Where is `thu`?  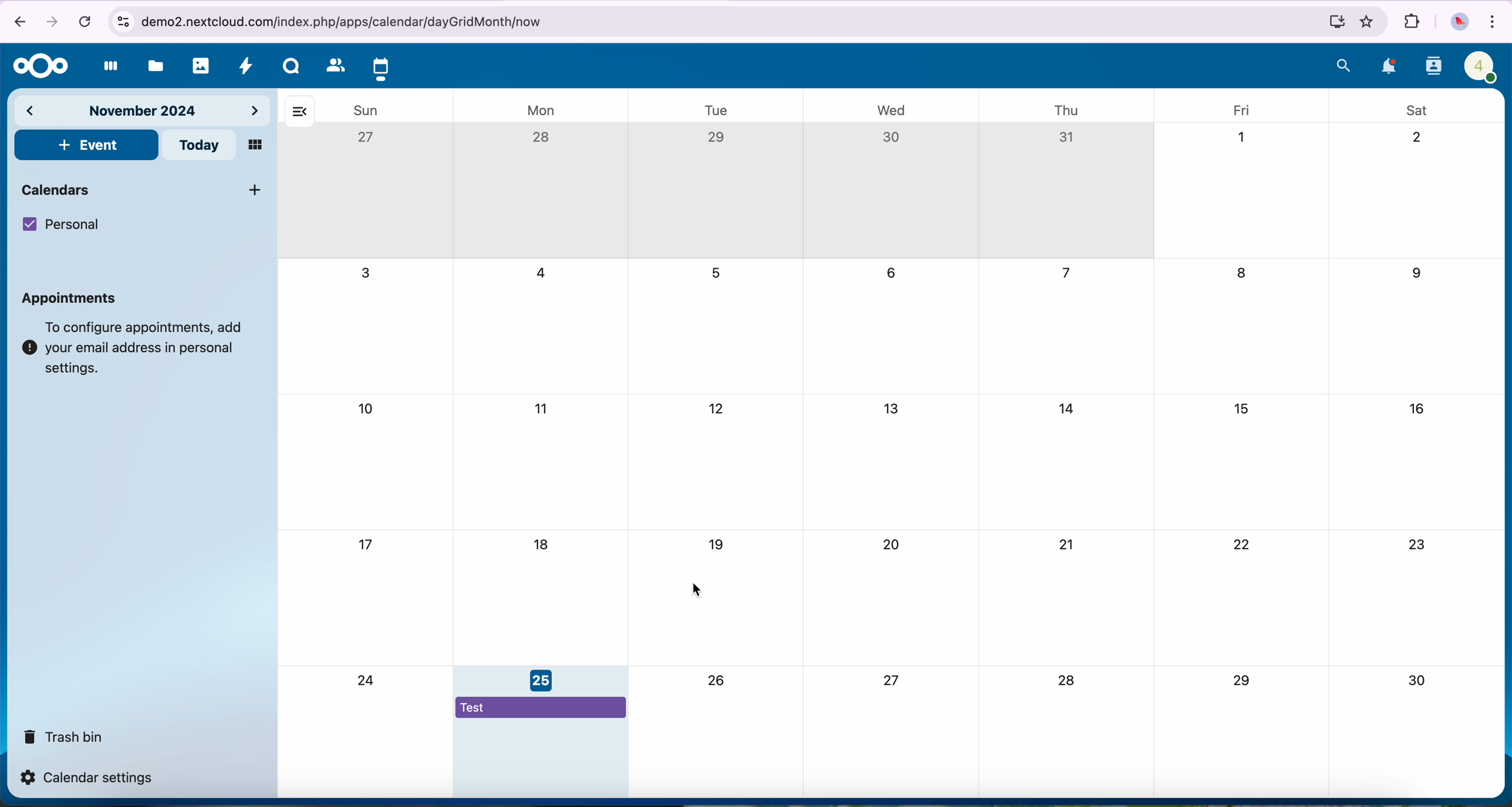
thu is located at coordinates (1071, 111).